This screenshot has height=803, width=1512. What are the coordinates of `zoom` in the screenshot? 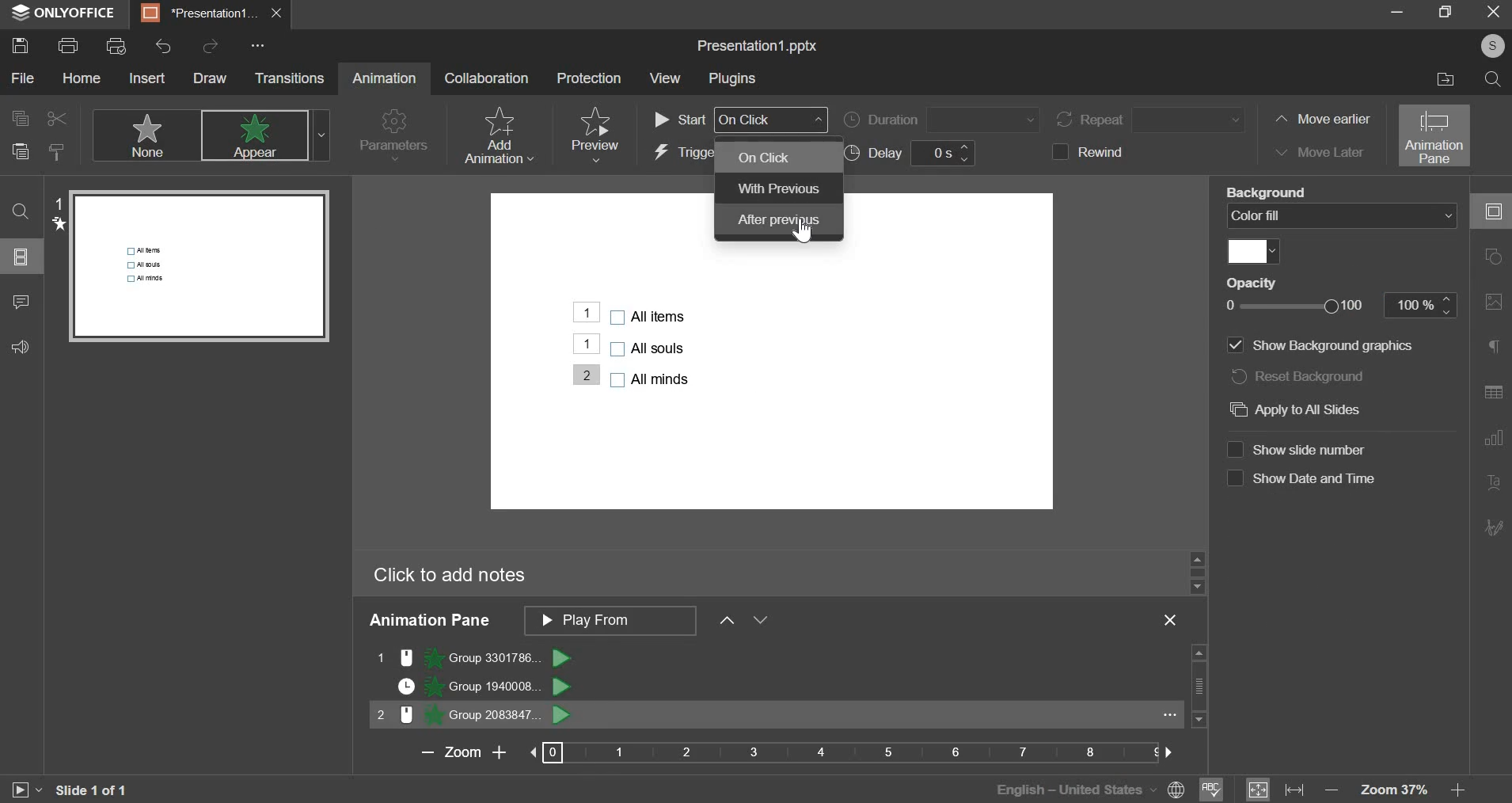 It's located at (1406, 790).